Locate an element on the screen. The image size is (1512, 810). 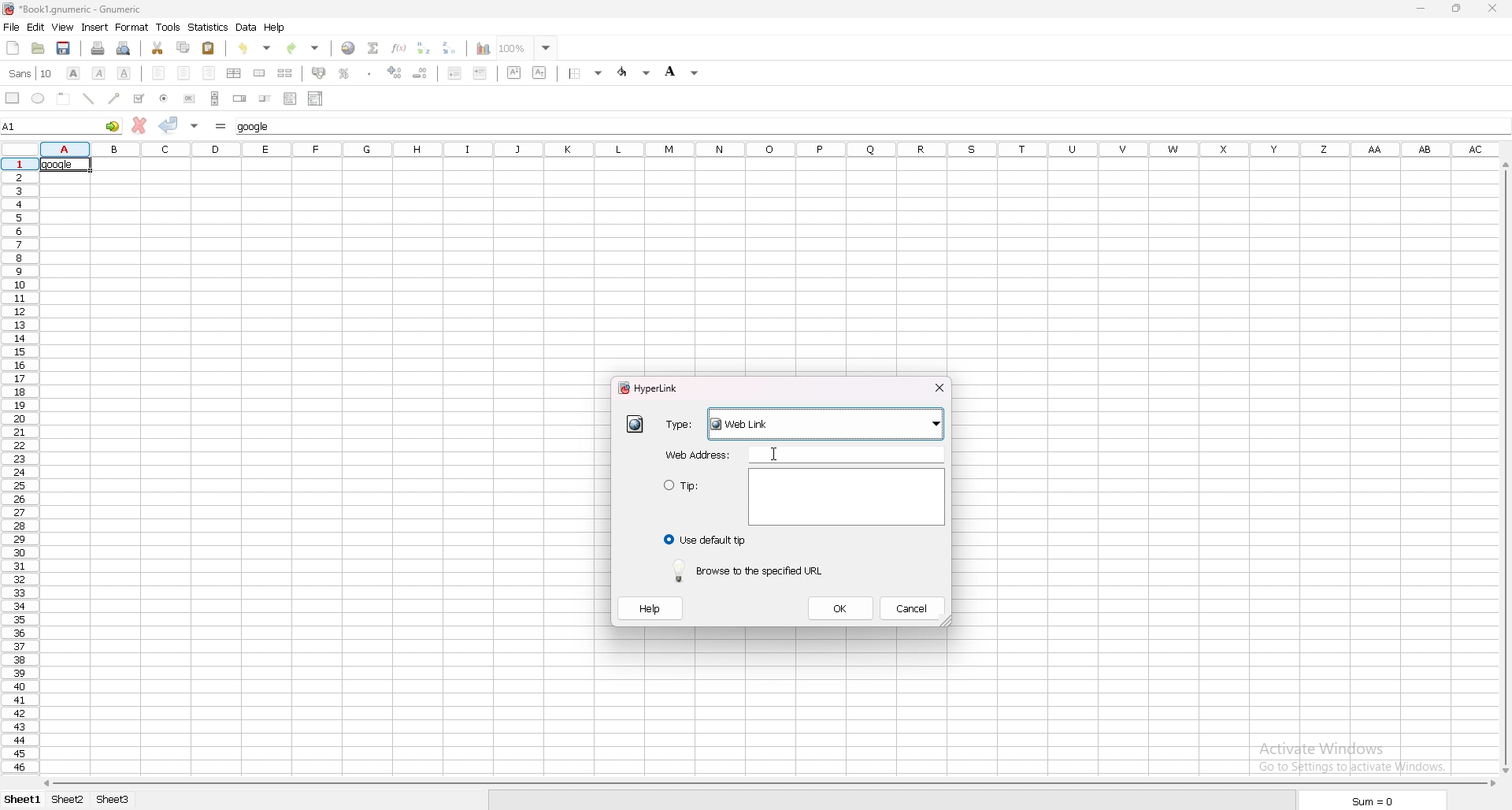
ok is located at coordinates (841, 607).